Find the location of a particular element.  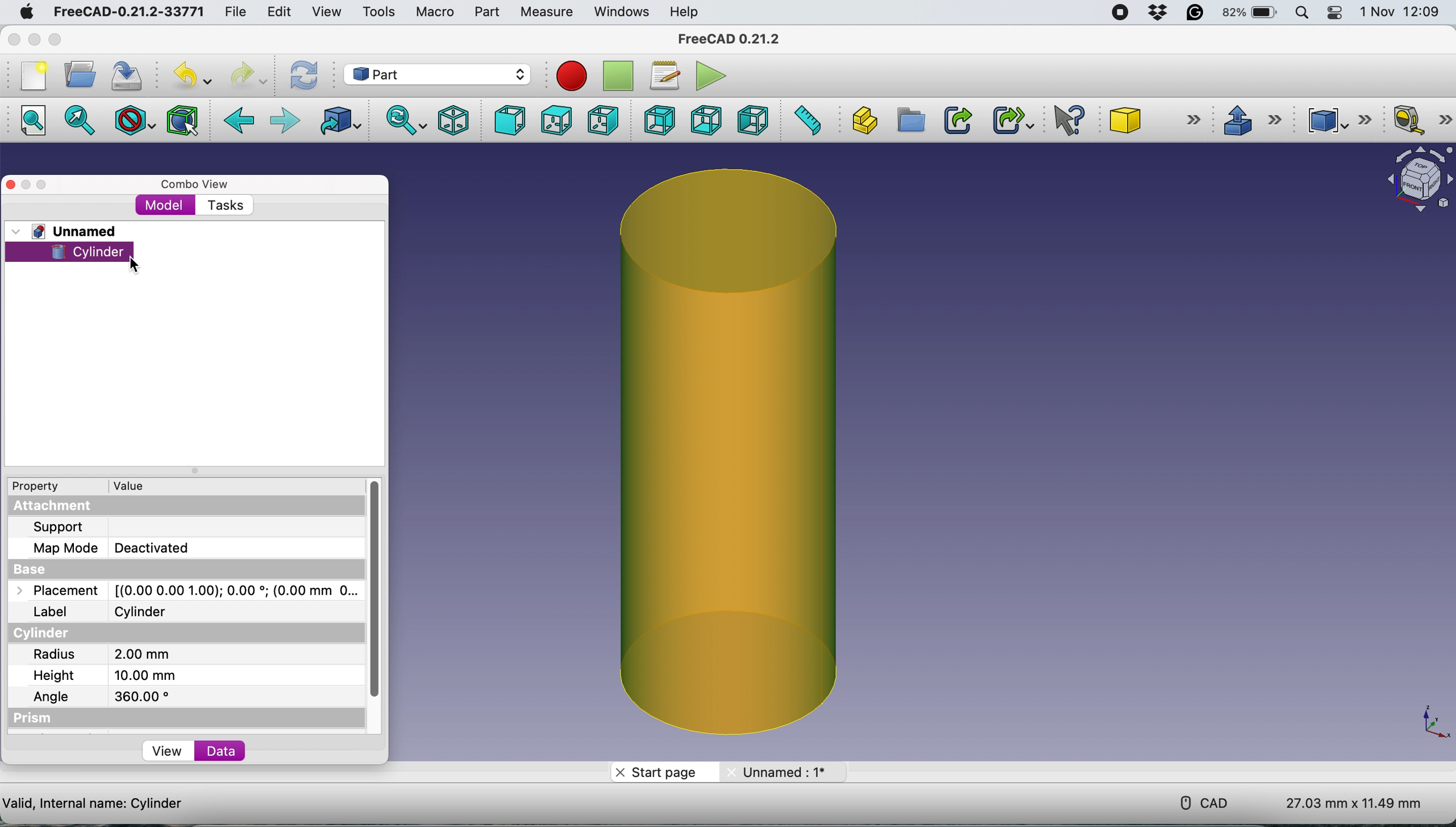

view is located at coordinates (167, 751).